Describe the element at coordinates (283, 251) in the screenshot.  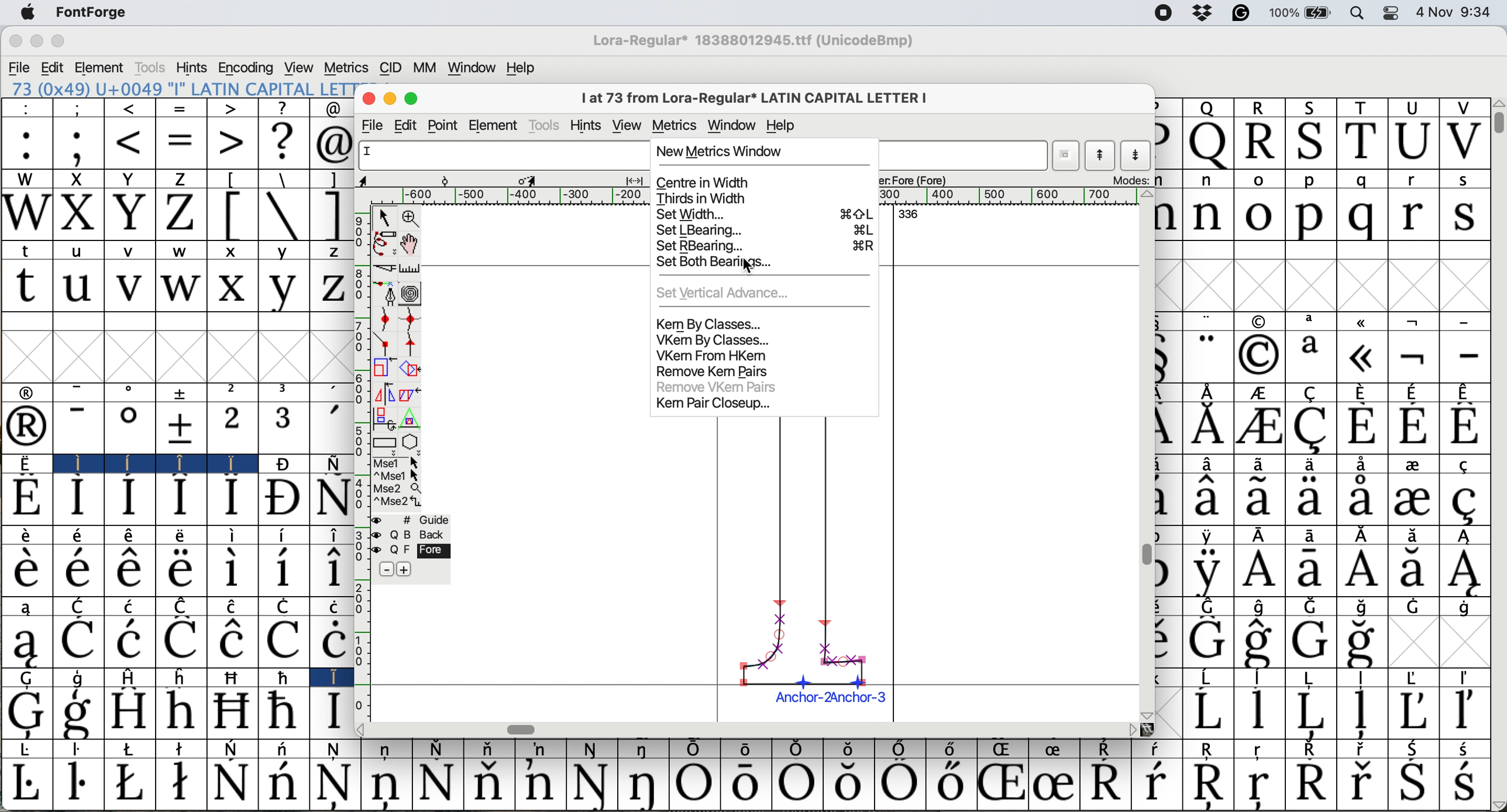
I see `y` at that location.